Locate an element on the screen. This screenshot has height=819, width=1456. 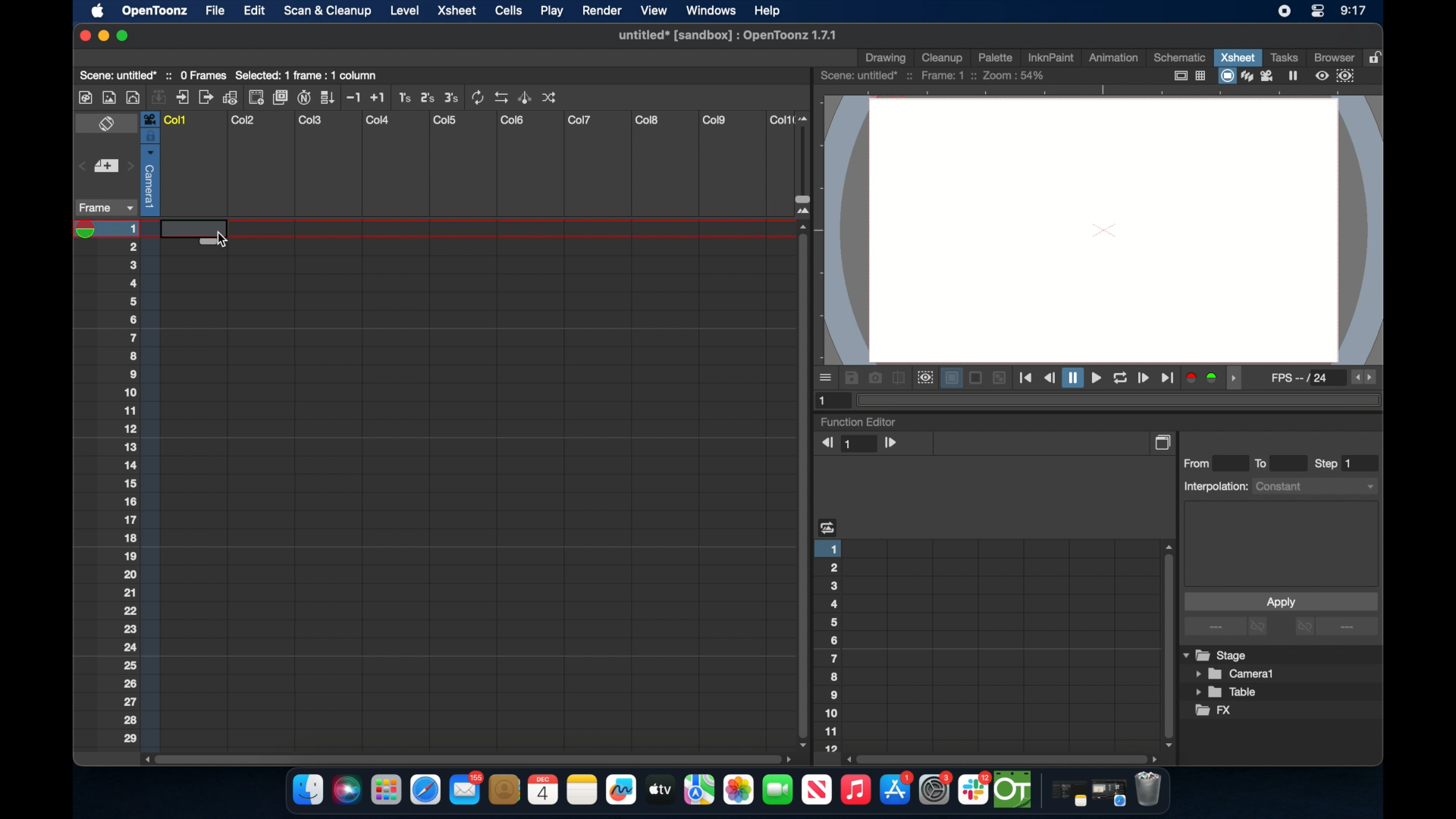
cells is located at coordinates (508, 11).